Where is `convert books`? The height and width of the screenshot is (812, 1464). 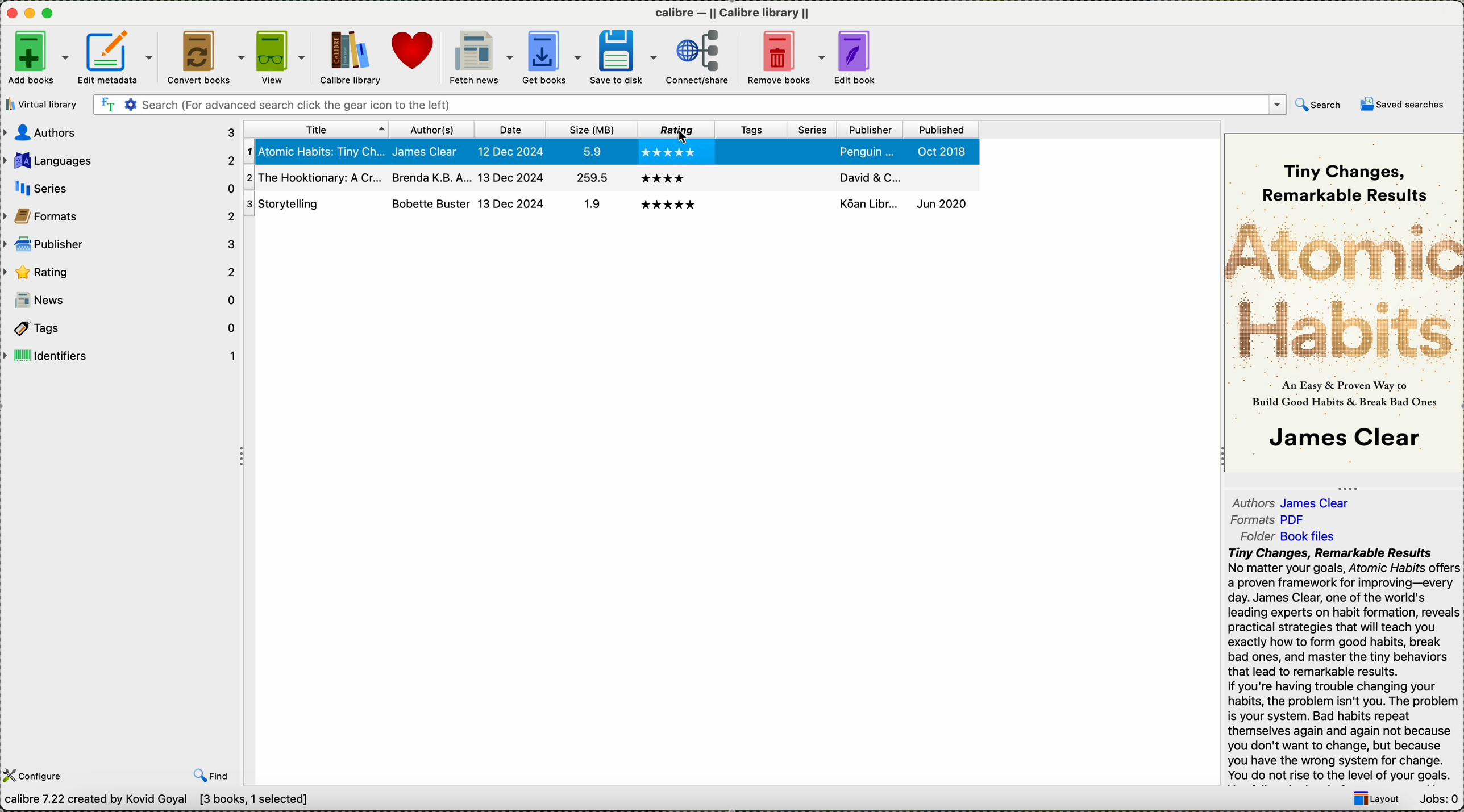 convert books is located at coordinates (206, 57).